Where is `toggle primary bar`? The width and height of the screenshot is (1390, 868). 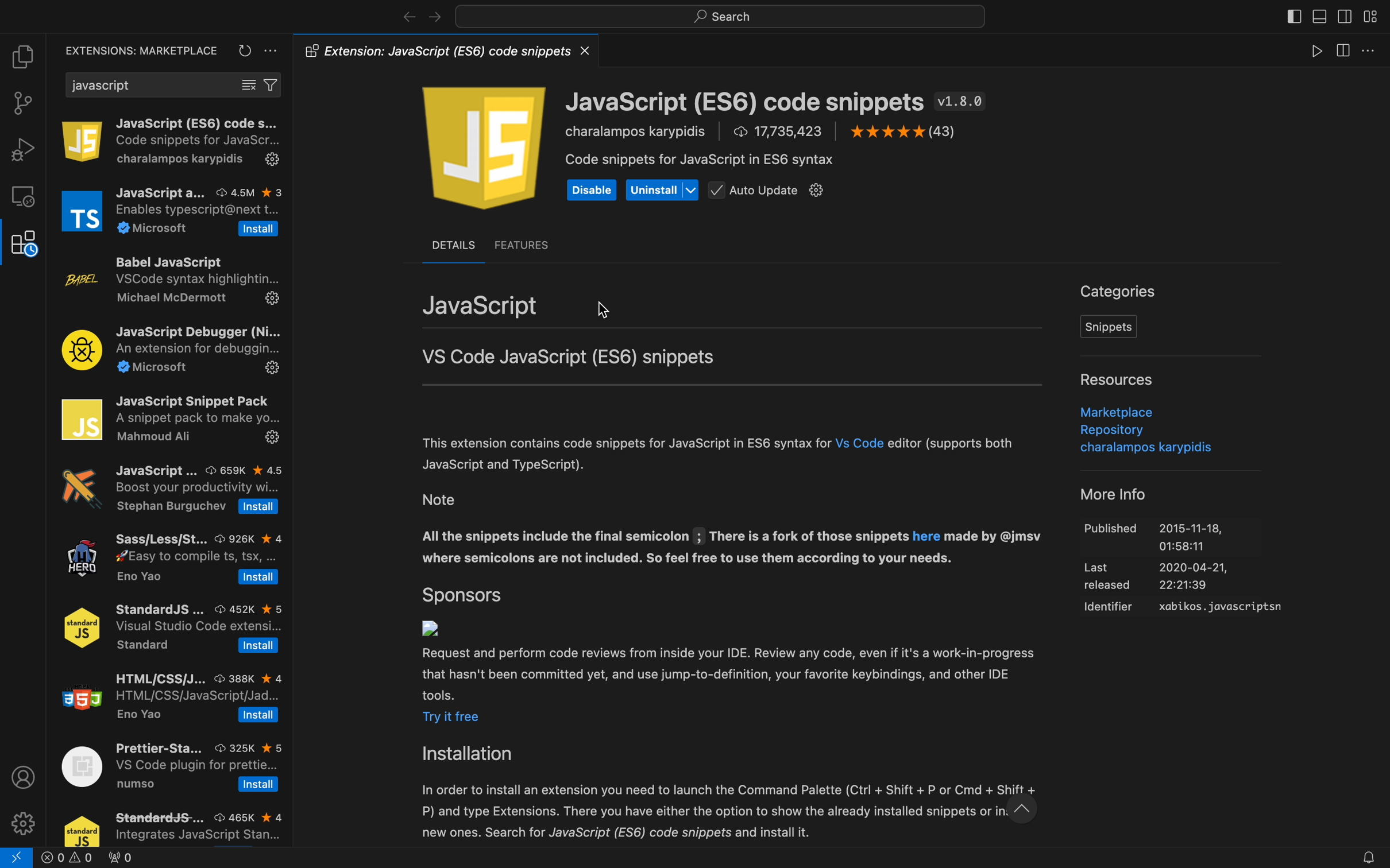 toggle primary bar is located at coordinates (1316, 14).